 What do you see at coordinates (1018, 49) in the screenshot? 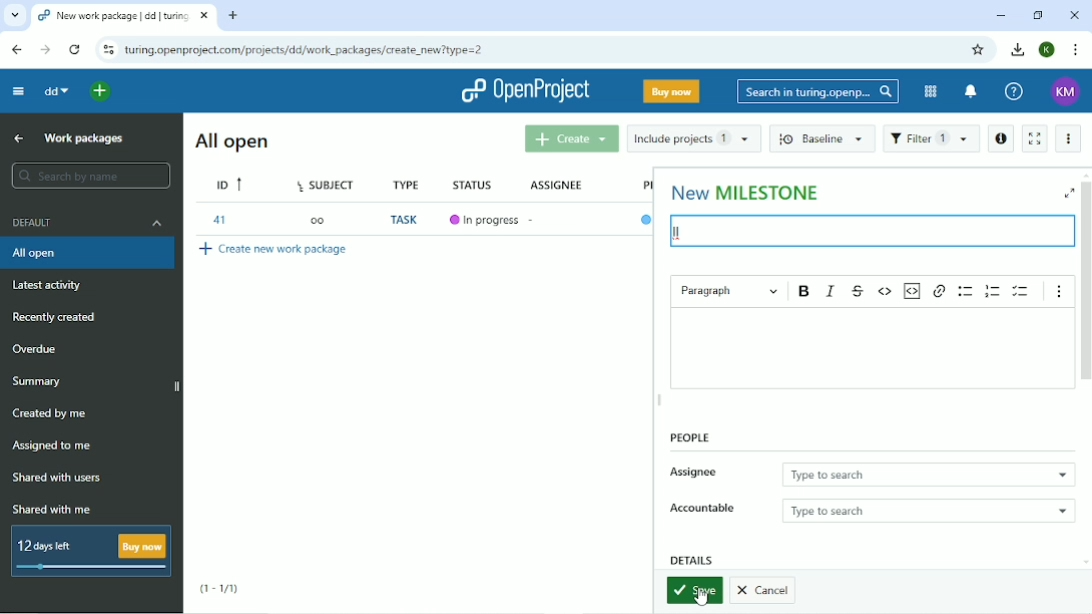
I see `Downloads` at bounding box center [1018, 49].